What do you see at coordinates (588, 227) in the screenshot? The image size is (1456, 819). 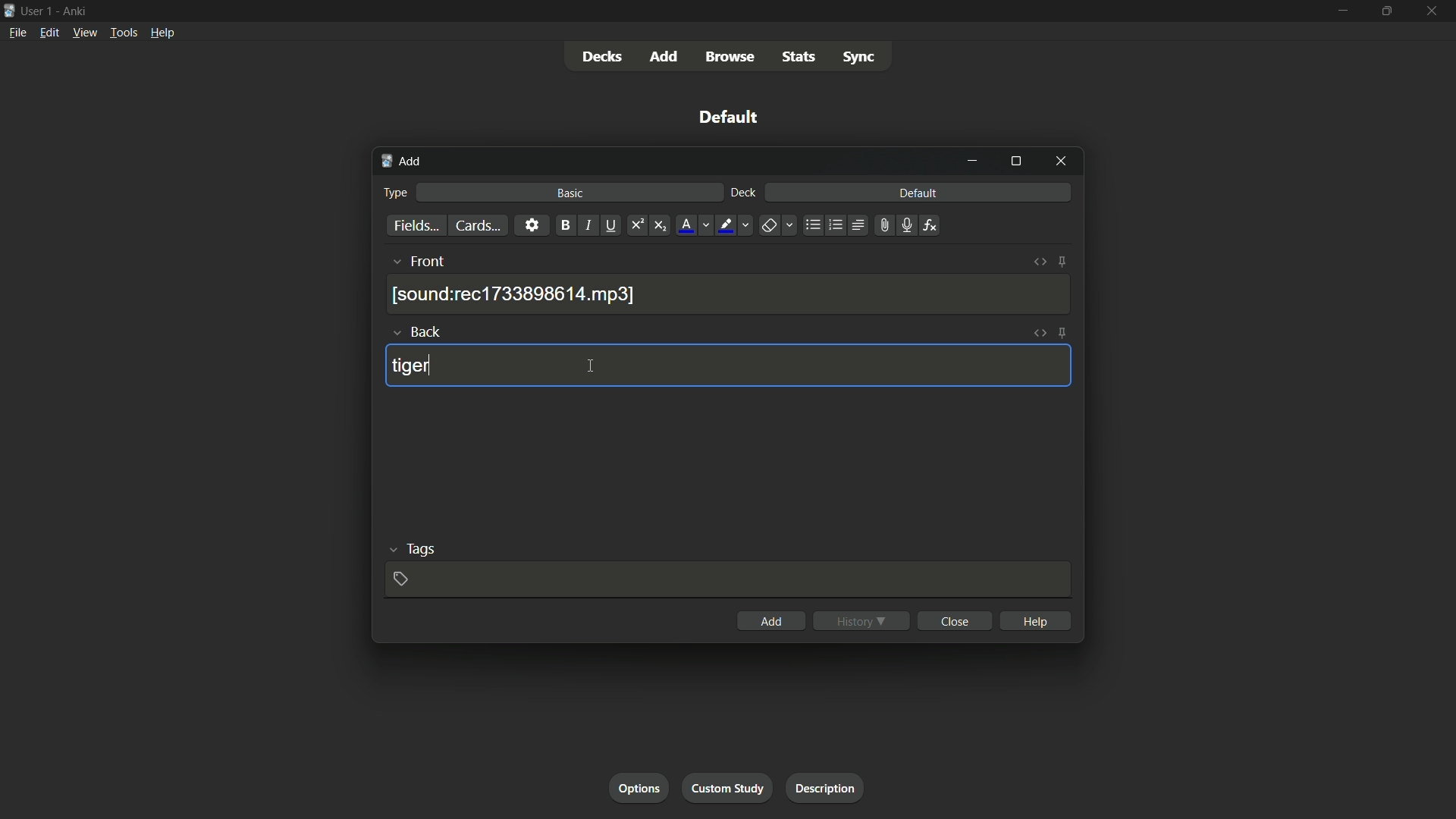 I see `italic` at bounding box center [588, 227].